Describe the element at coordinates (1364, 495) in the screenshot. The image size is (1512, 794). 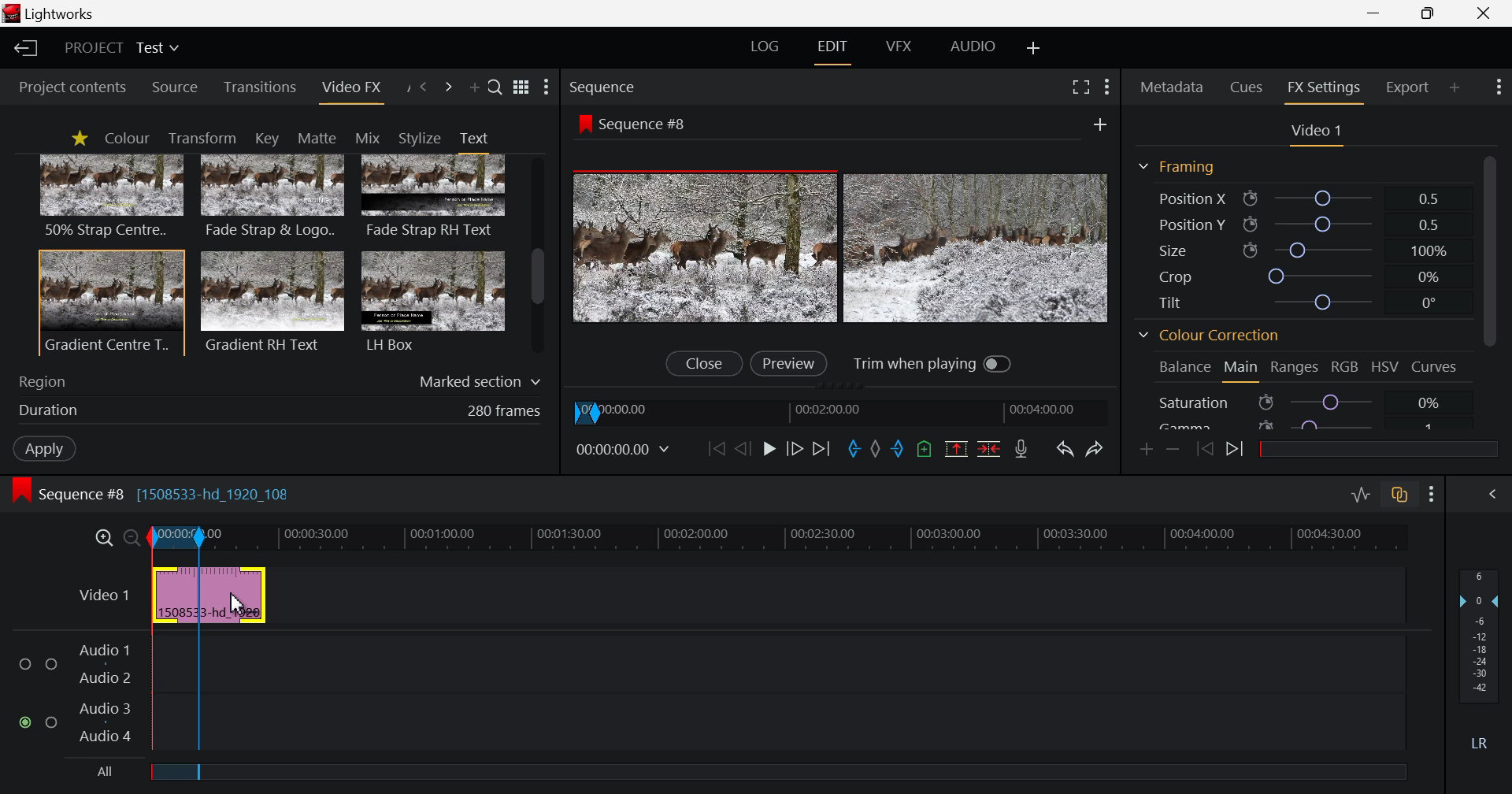
I see `Toggle audio levels editing` at that location.